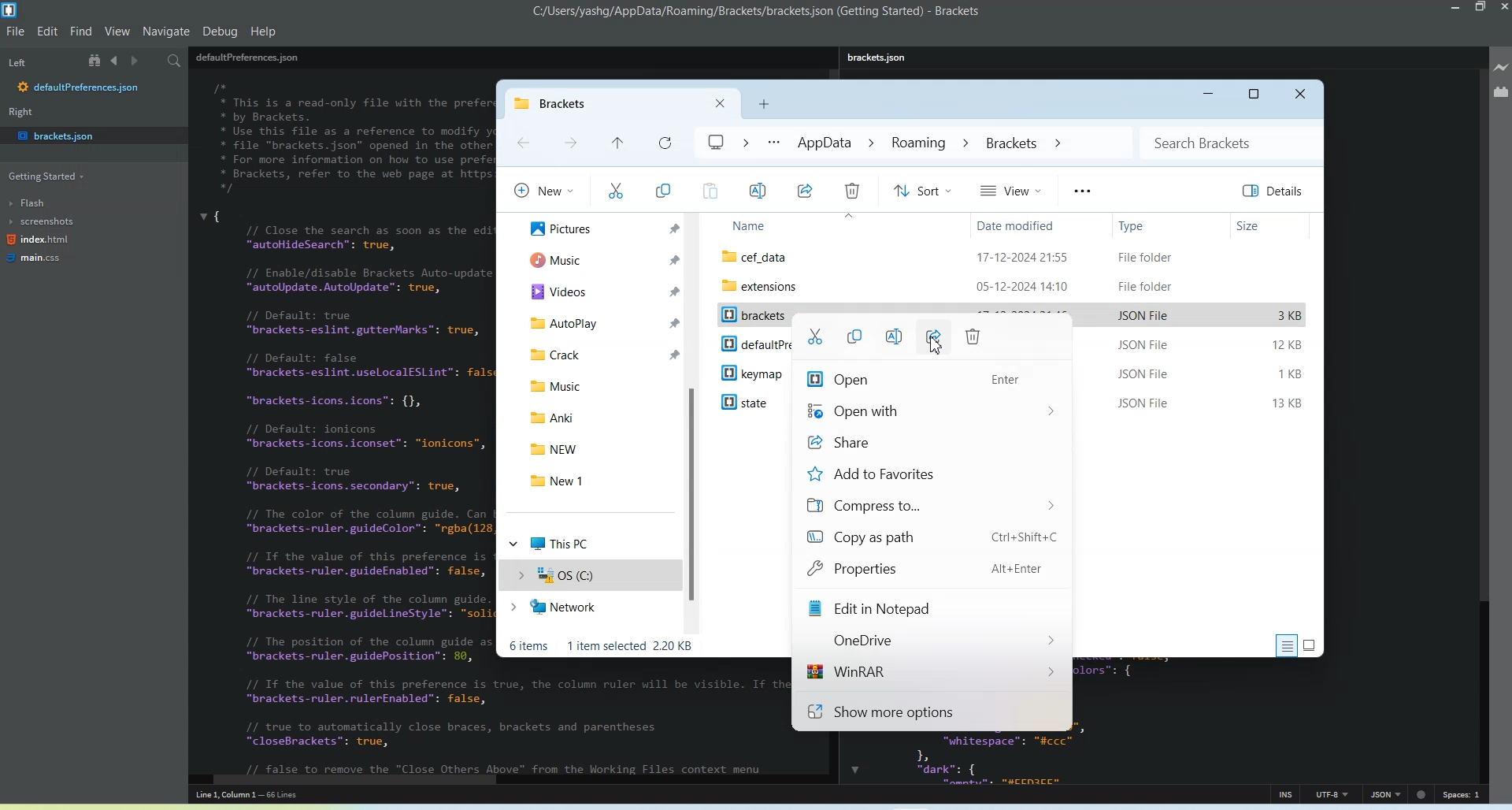  What do you see at coordinates (43, 177) in the screenshot?
I see `Getting Started` at bounding box center [43, 177].